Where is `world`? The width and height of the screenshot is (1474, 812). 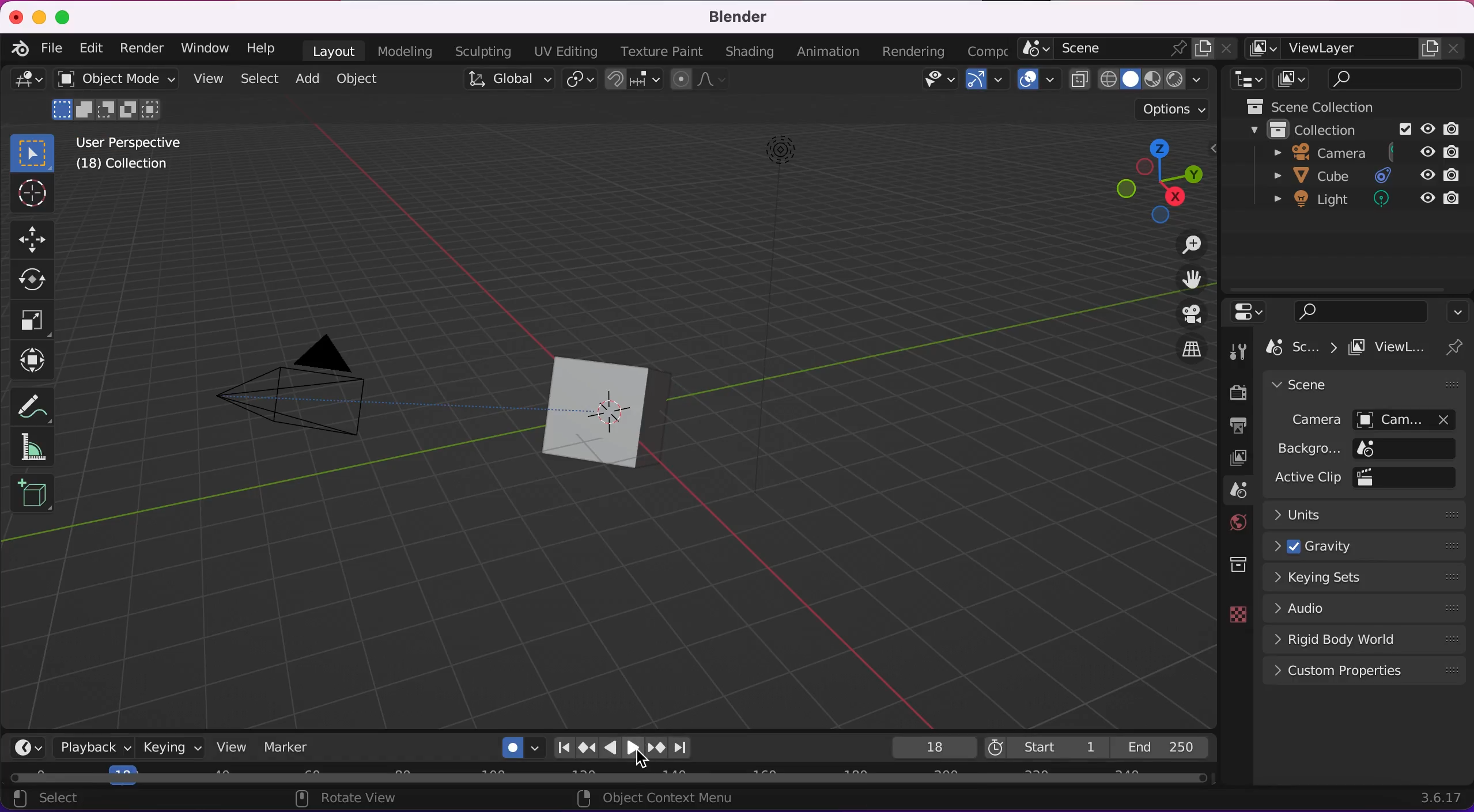
world is located at coordinates (1233, 521).